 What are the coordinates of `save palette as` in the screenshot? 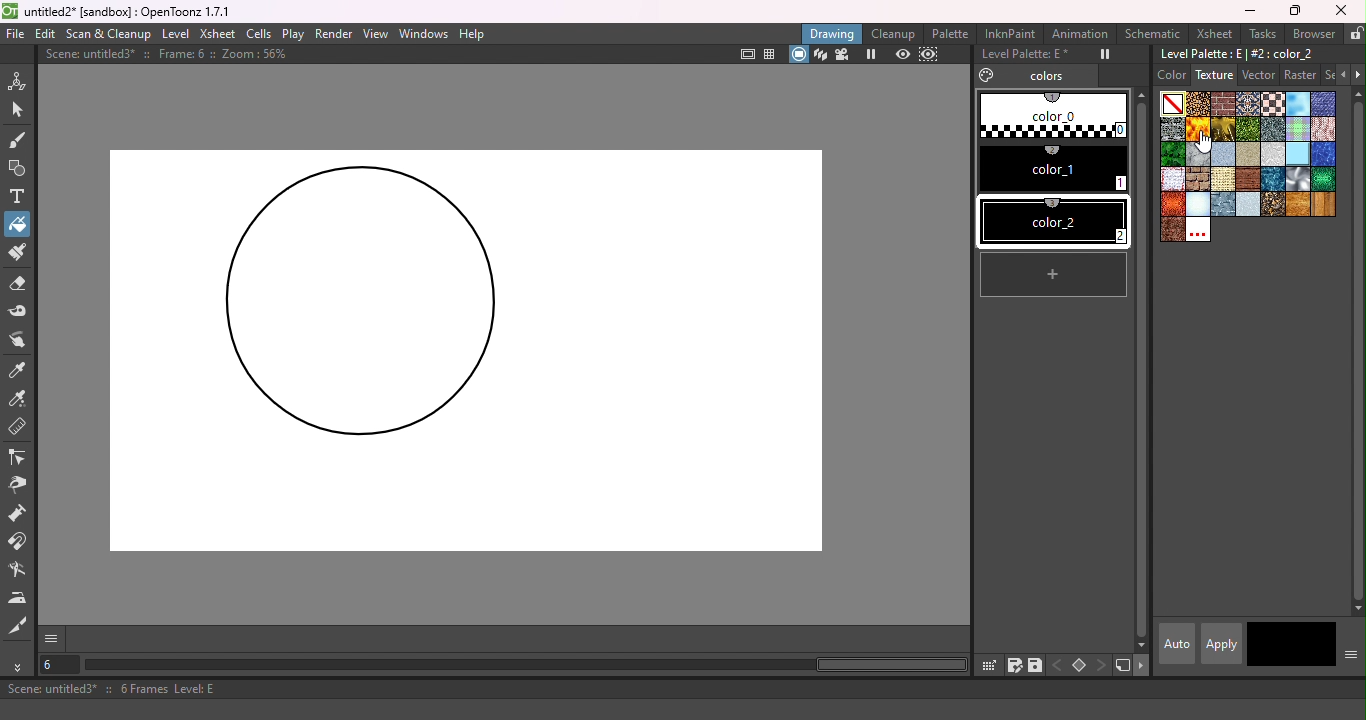 It's located at (1013, 665).